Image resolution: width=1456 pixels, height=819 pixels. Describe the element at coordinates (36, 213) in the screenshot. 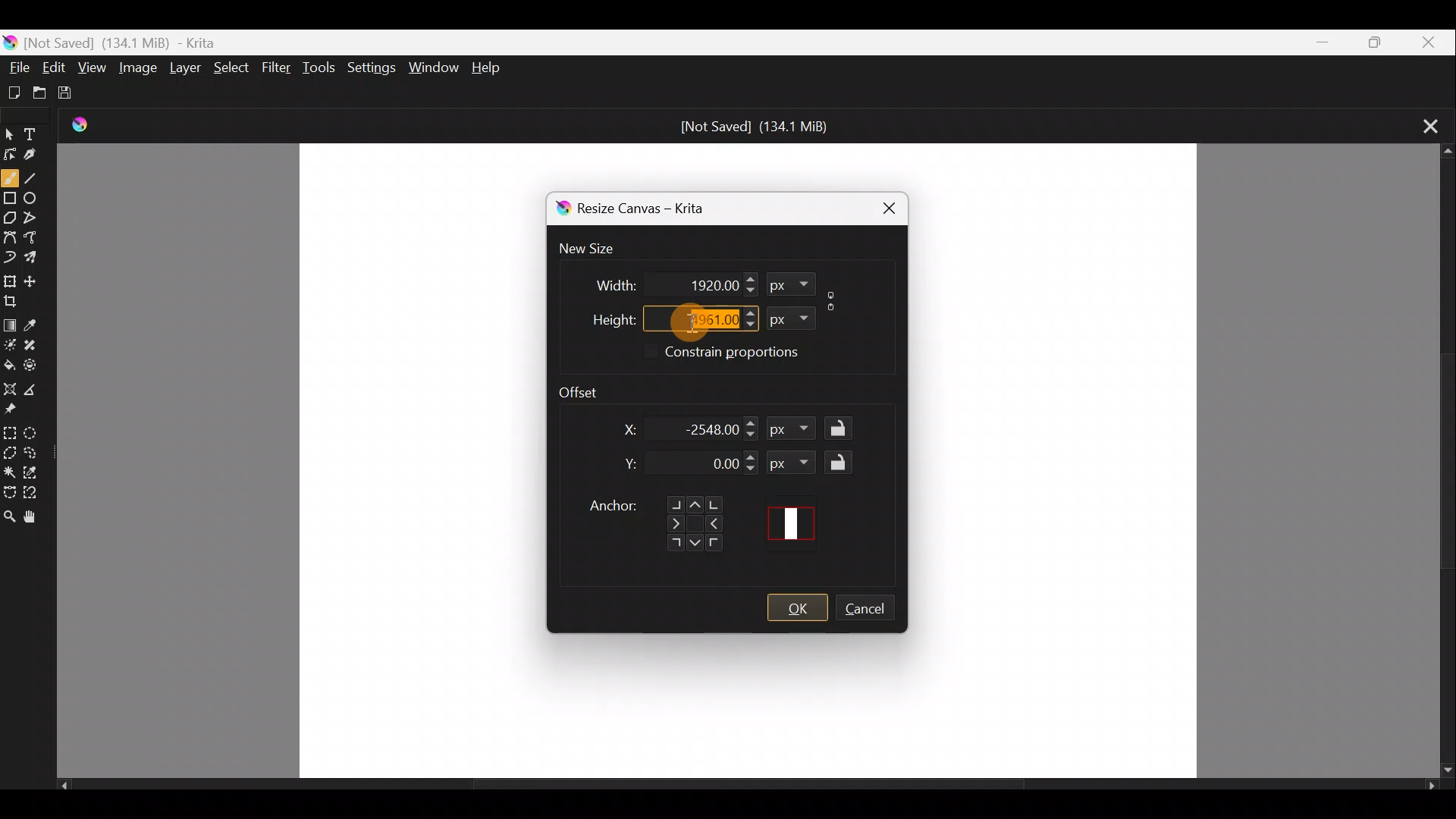

I see `Polyline tool` at that location.